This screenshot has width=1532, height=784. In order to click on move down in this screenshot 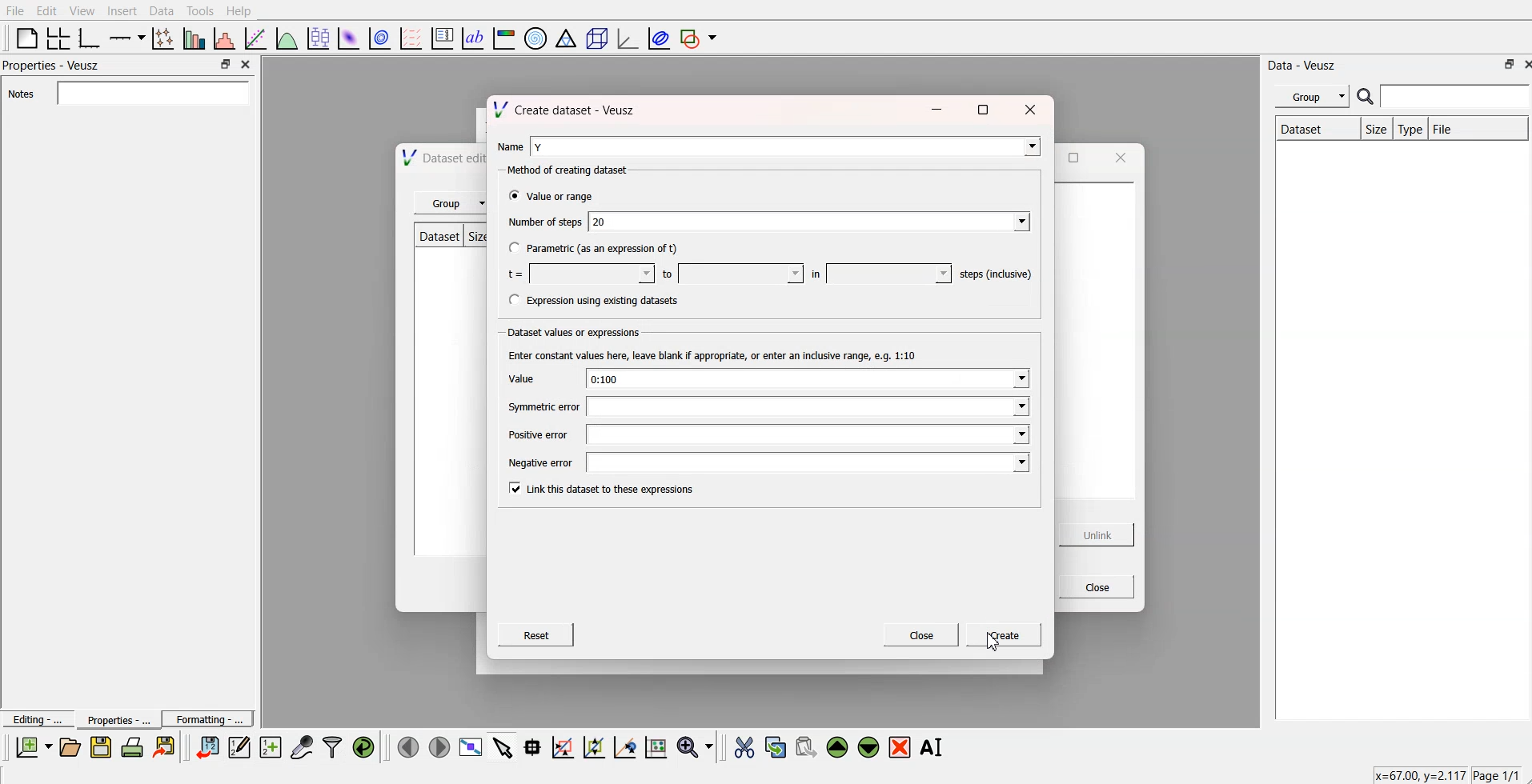, I will do `click(869, 746)`.